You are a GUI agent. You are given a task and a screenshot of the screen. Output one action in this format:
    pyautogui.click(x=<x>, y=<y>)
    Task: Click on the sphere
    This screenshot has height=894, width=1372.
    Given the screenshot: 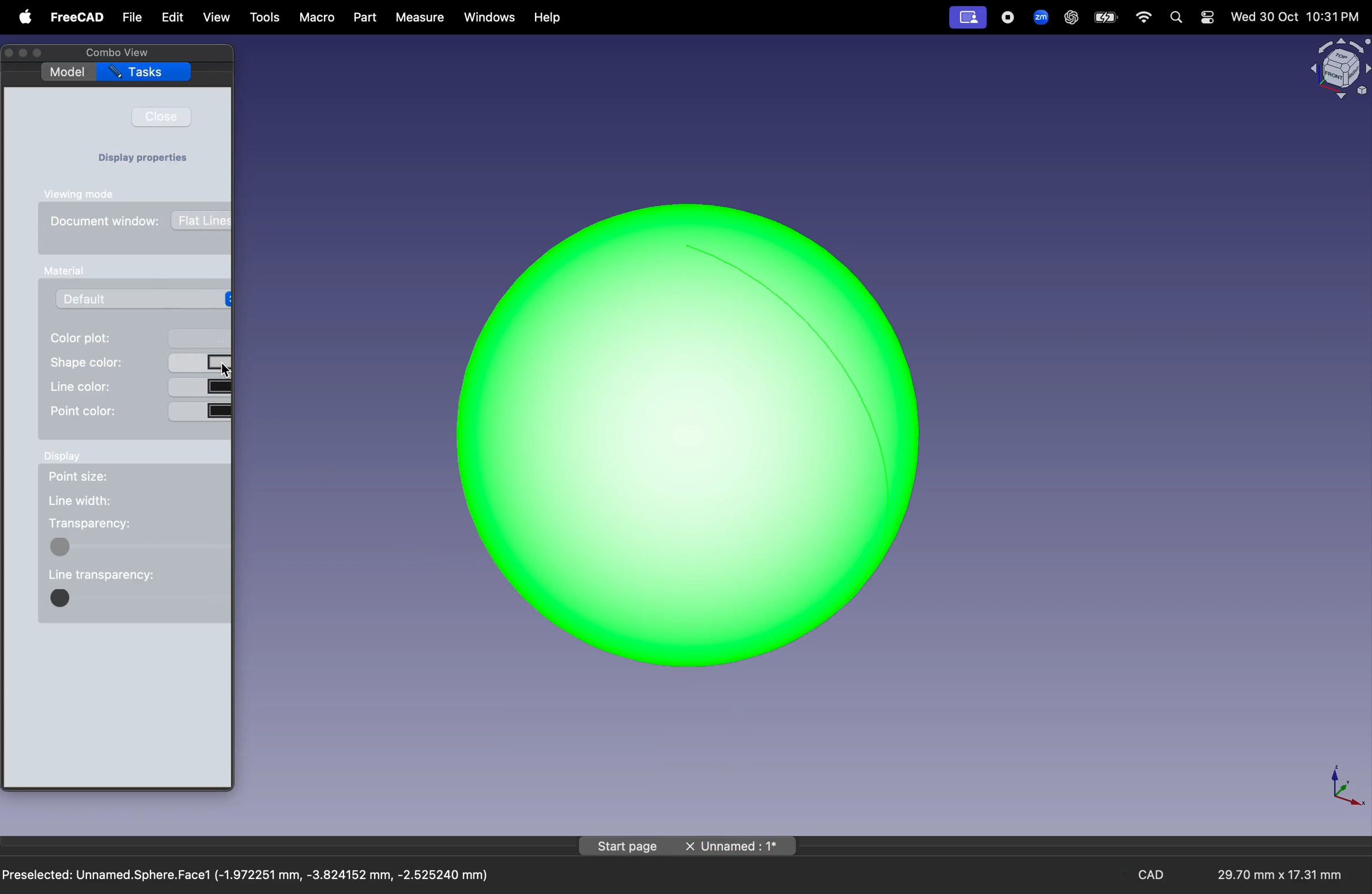 What is the action you would take?
    pyautogui.click(x=688, y=431)
    